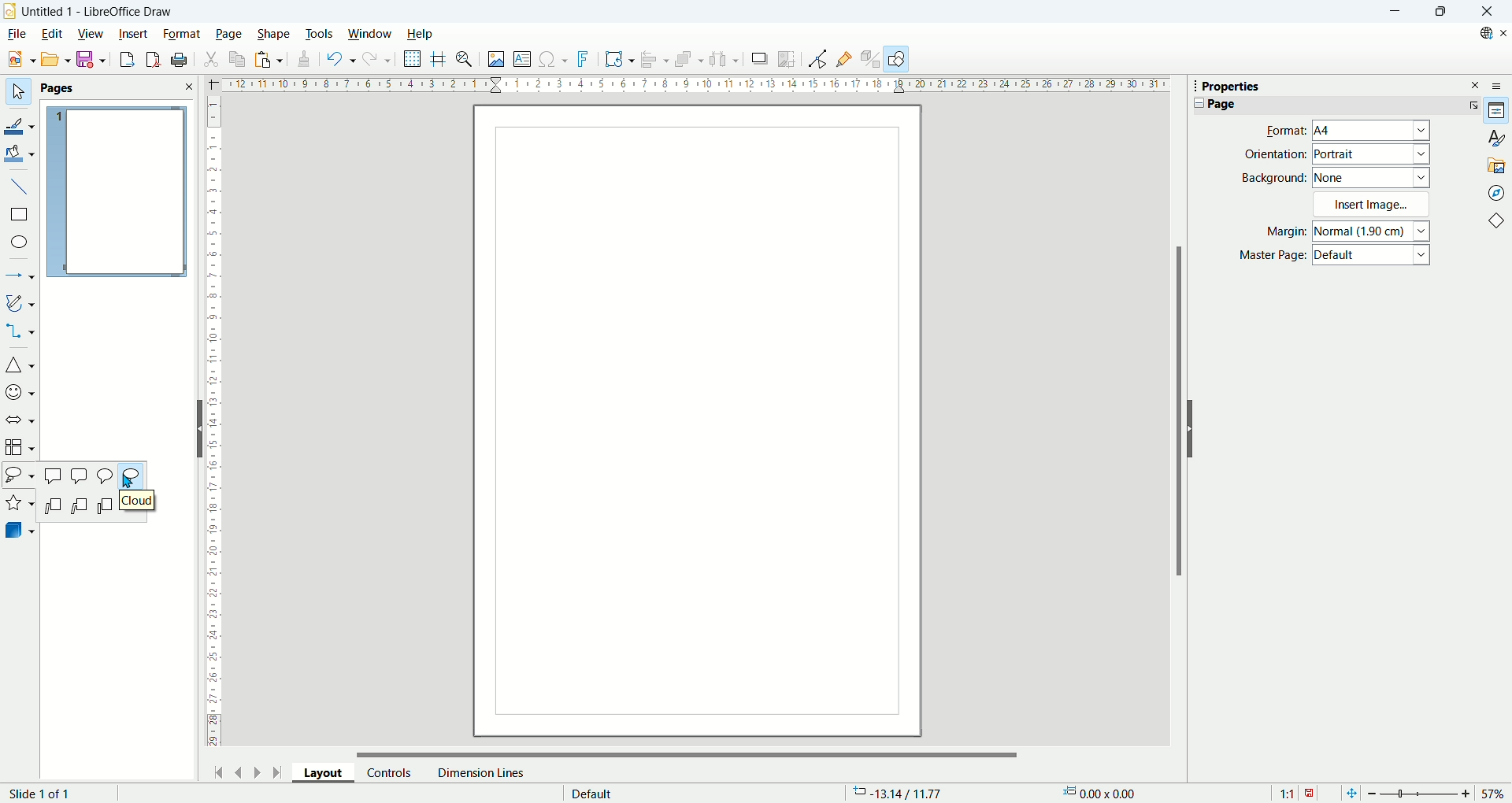  I want to click on zoom and pan, so click(465, 61).